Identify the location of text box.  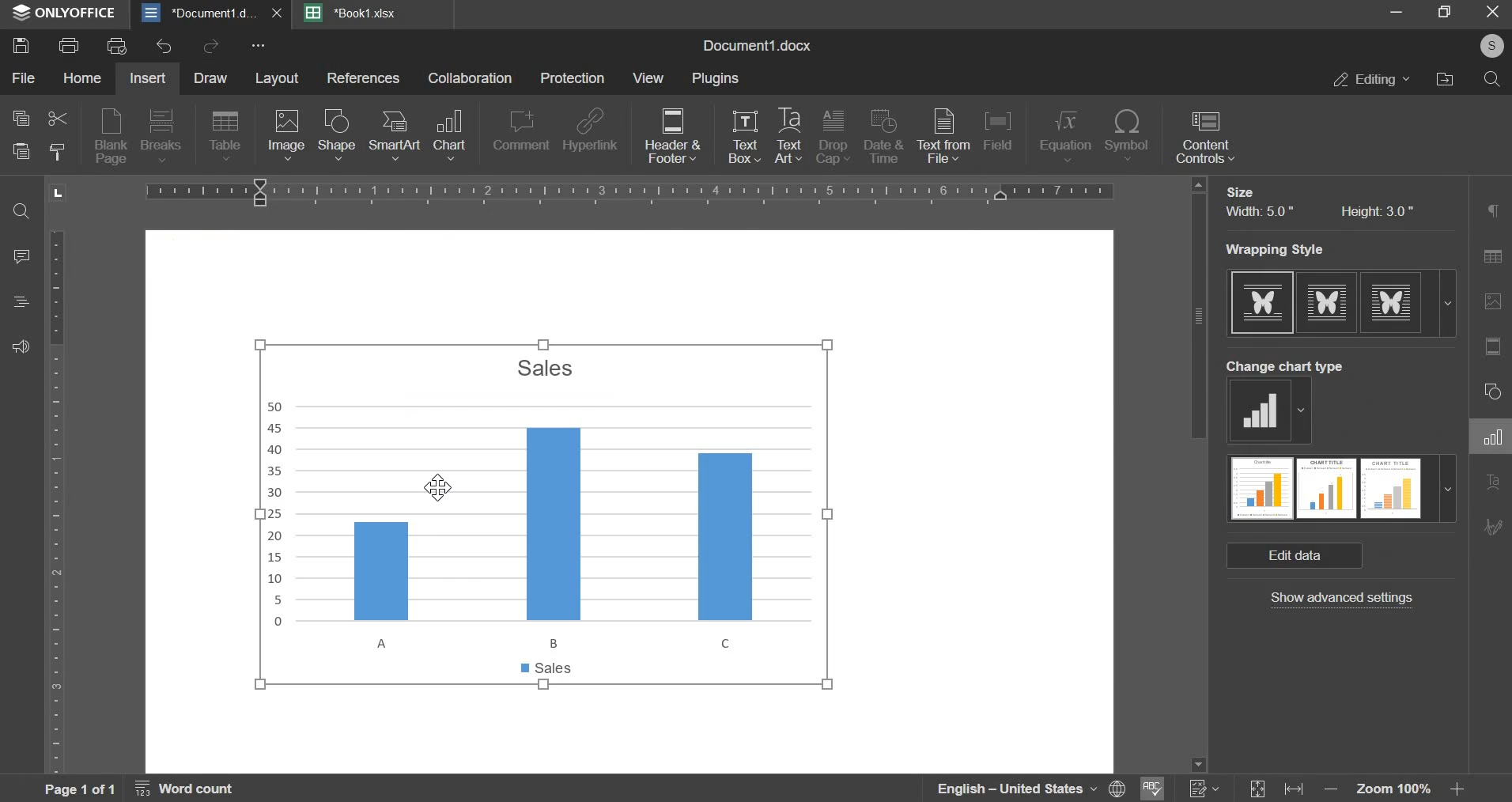
(745, 138).